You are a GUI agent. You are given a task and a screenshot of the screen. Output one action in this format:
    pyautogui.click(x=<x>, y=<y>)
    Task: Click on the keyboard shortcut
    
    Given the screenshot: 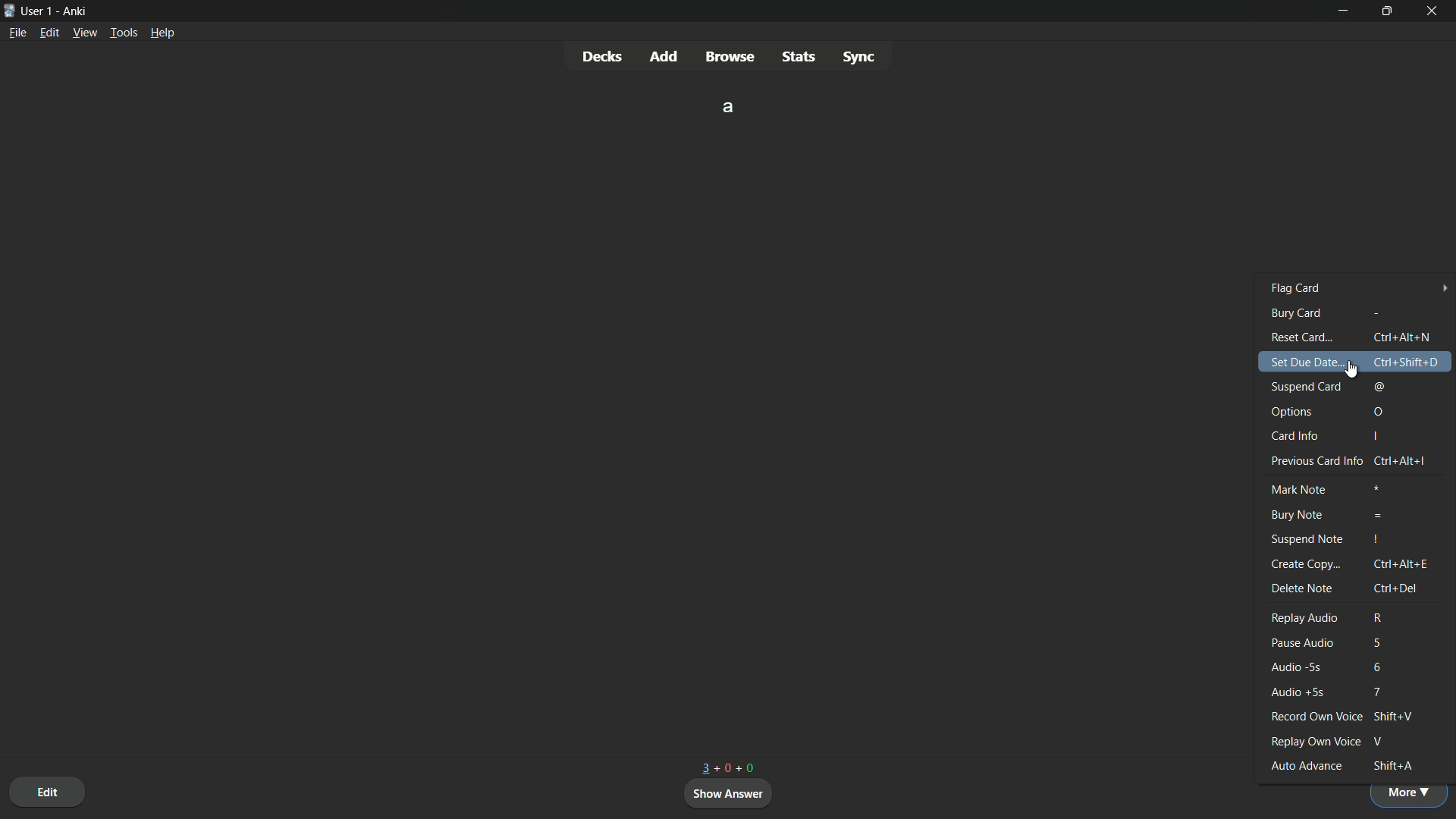 What is the action you would take?
    pyautogui.click(x=1383, y=741)
    